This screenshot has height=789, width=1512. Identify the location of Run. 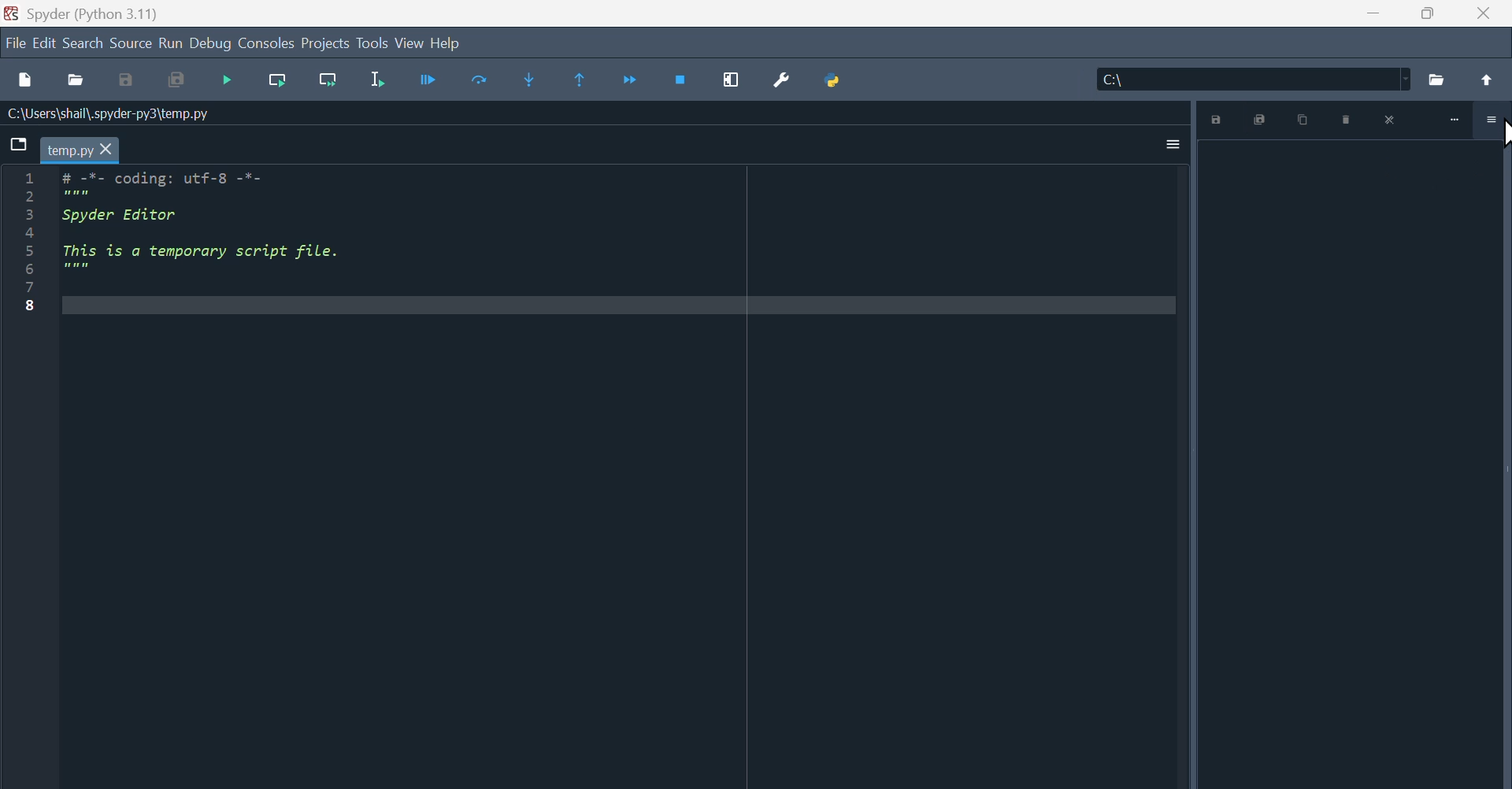
(172, 43).